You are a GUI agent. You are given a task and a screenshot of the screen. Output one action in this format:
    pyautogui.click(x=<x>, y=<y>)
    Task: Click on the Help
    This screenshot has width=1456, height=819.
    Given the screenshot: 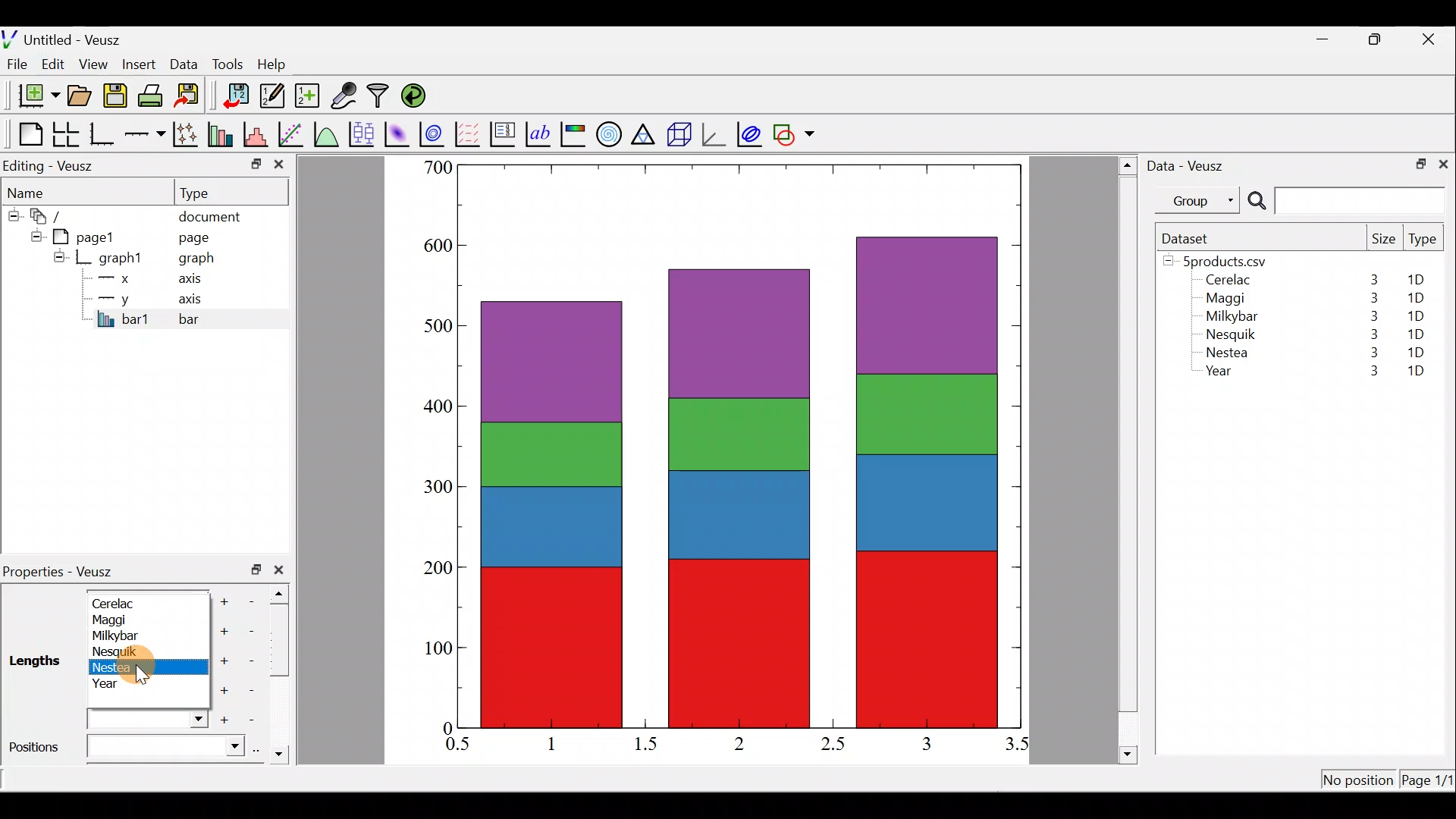 What is the action you would take?
    pyautogui.click(x=281, y=64)
    